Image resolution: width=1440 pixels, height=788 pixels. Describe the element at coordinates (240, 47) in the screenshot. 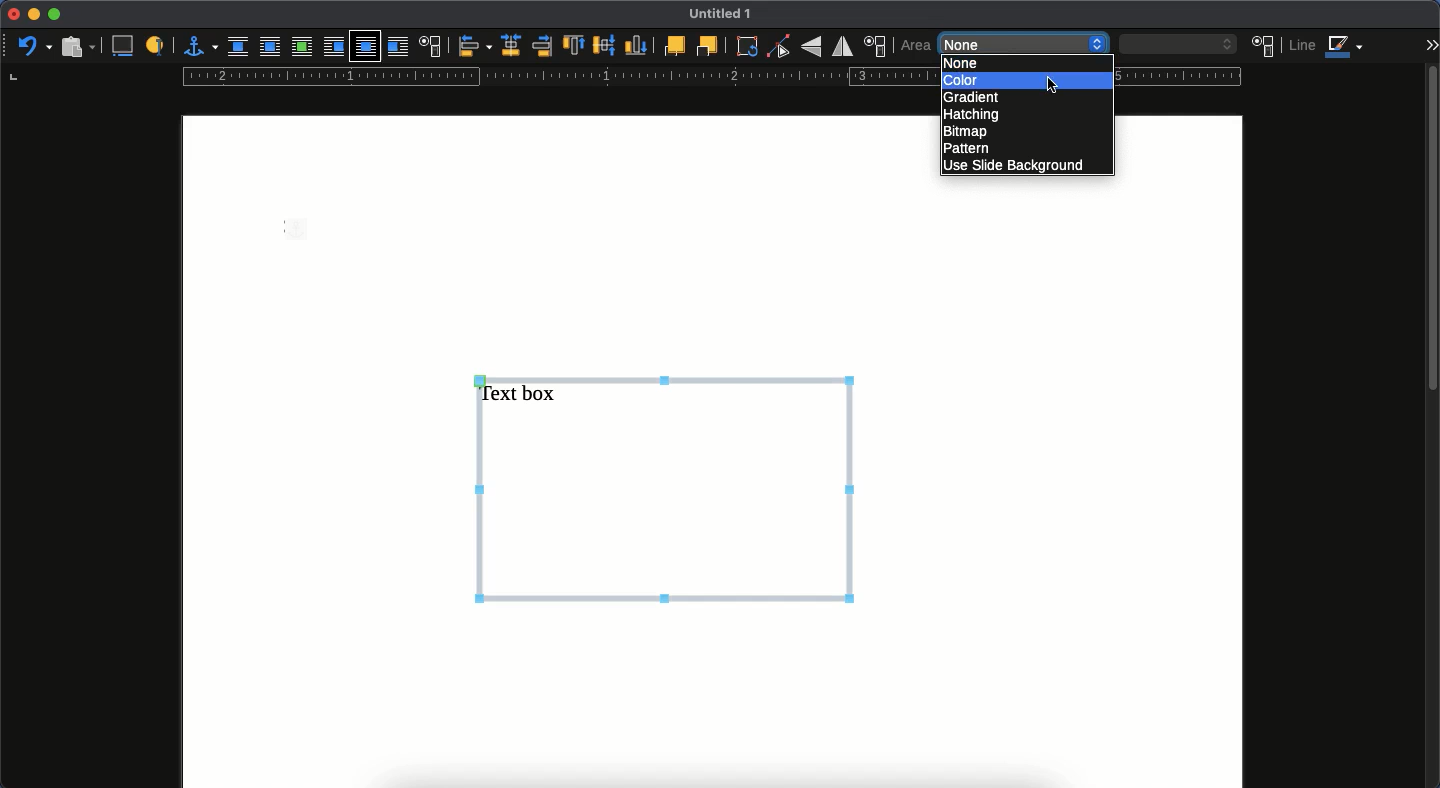

I see `none` at that location.